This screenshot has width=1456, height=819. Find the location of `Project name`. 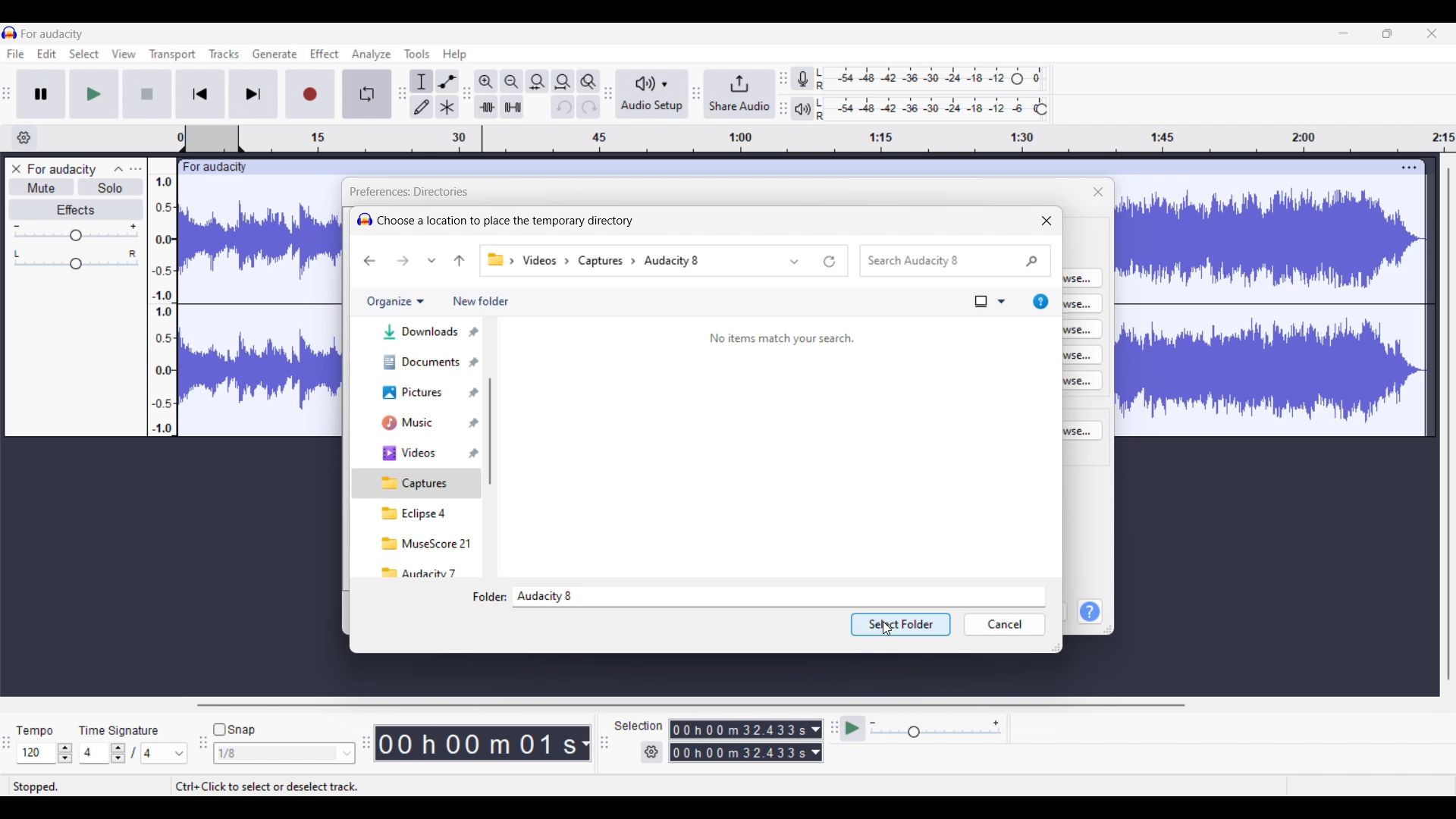

Project name is located at coordinates (52, 33).